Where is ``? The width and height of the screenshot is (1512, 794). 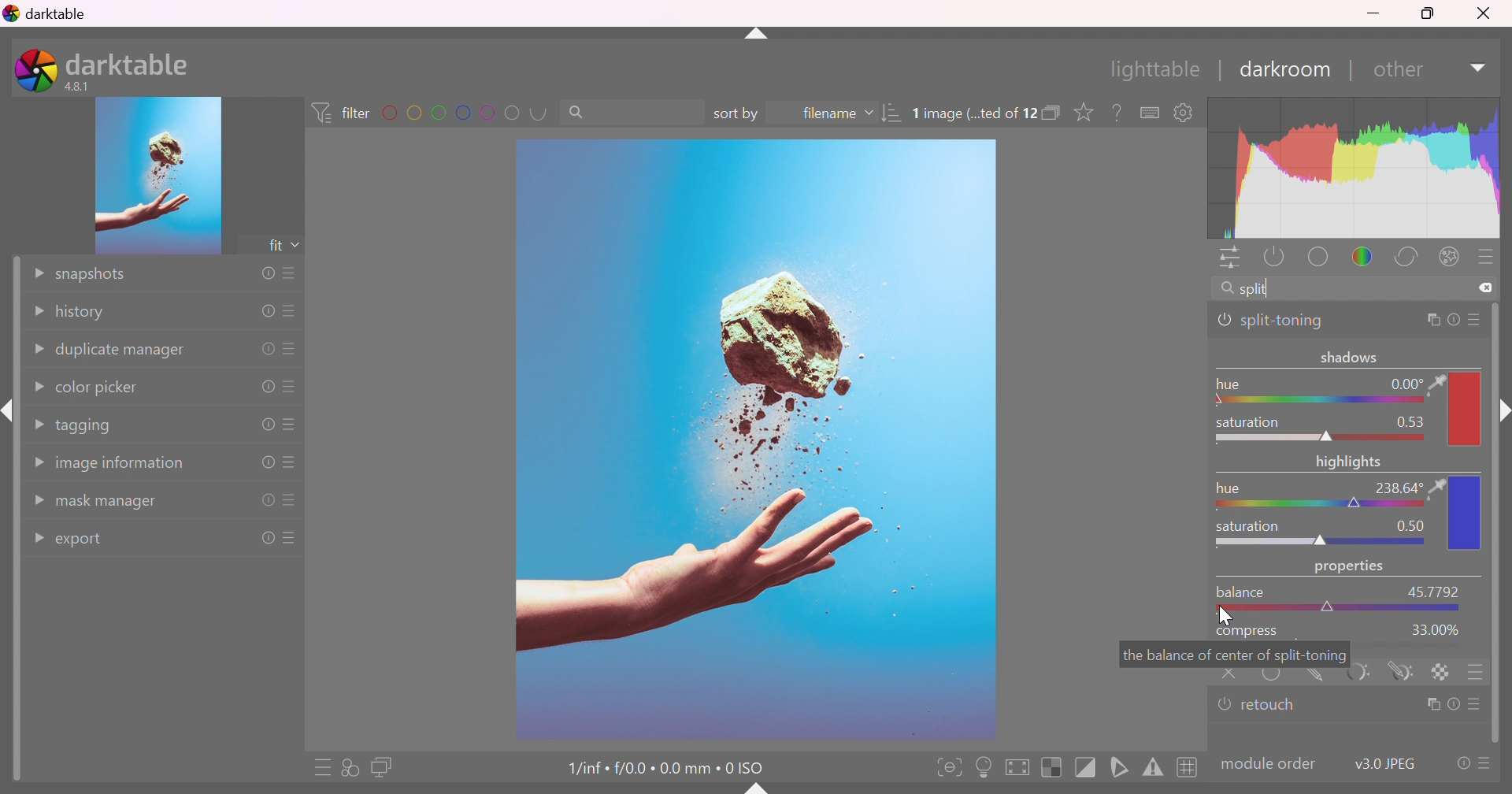  is located at coordinates (870, 112).